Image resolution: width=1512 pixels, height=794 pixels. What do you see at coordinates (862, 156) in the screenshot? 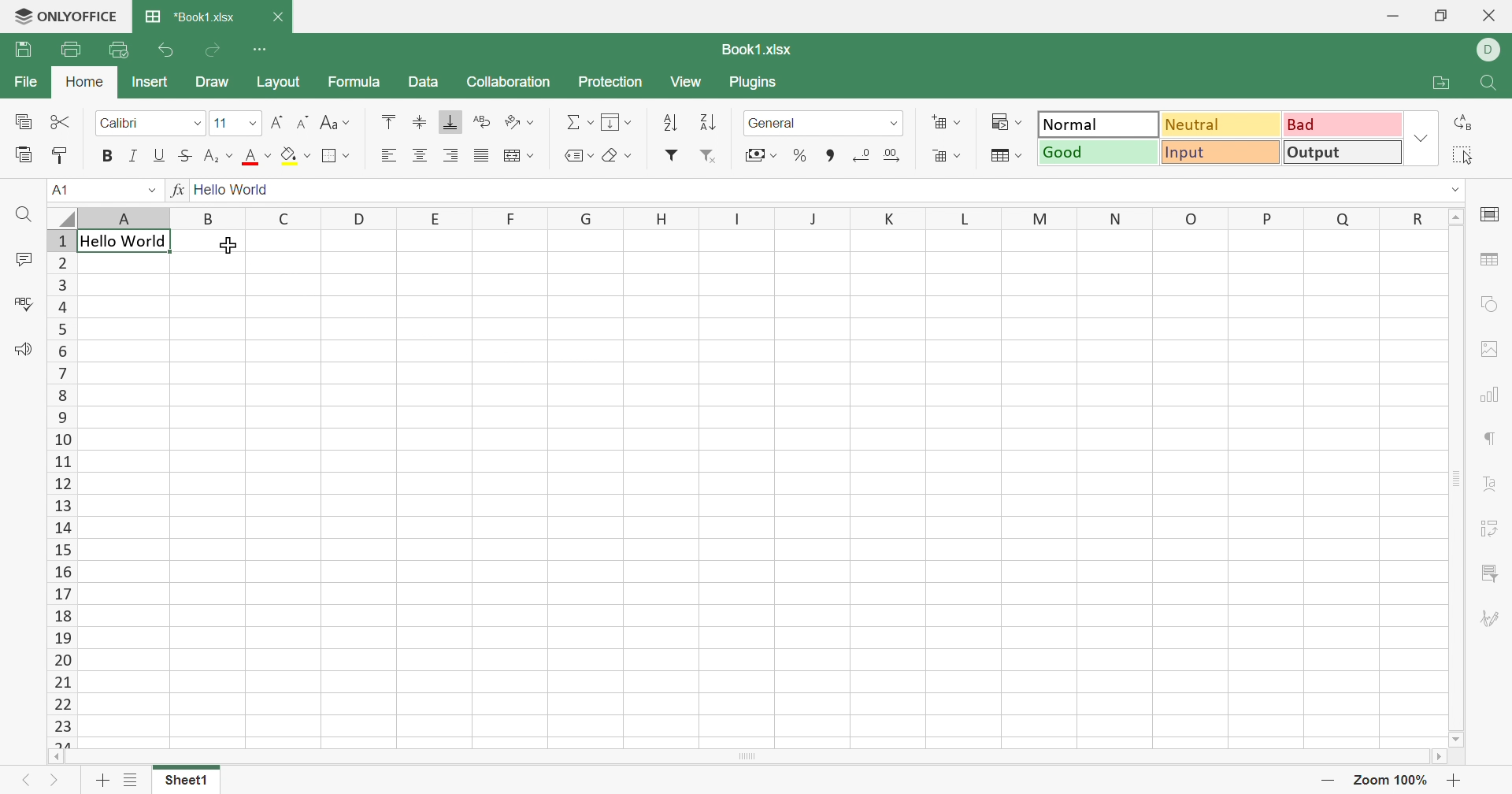
I see `Decrease decimal` at bounding box center [862, 156].